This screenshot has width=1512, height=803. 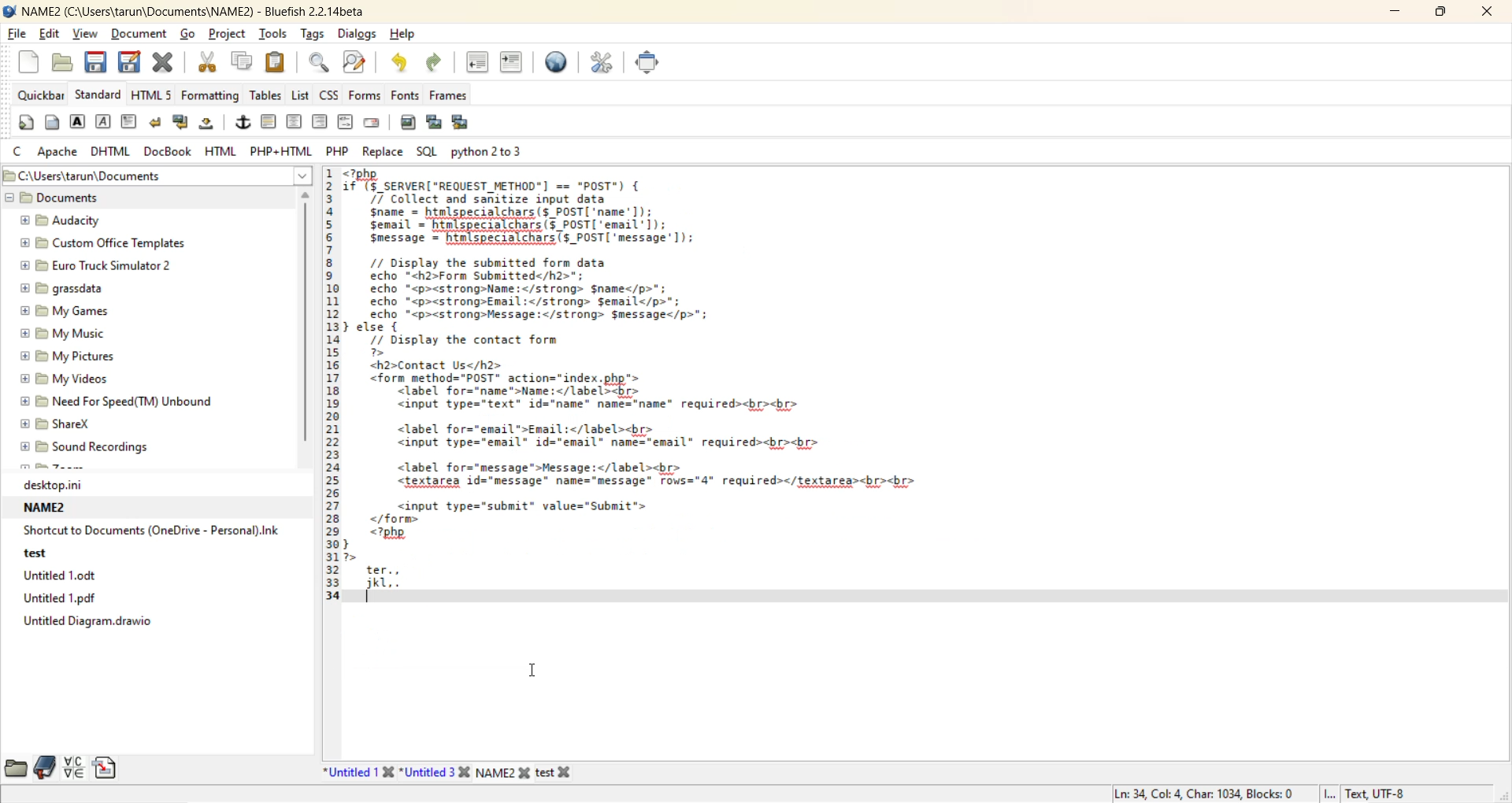 I want to click on  grassdata, so click(x=62, y=290).